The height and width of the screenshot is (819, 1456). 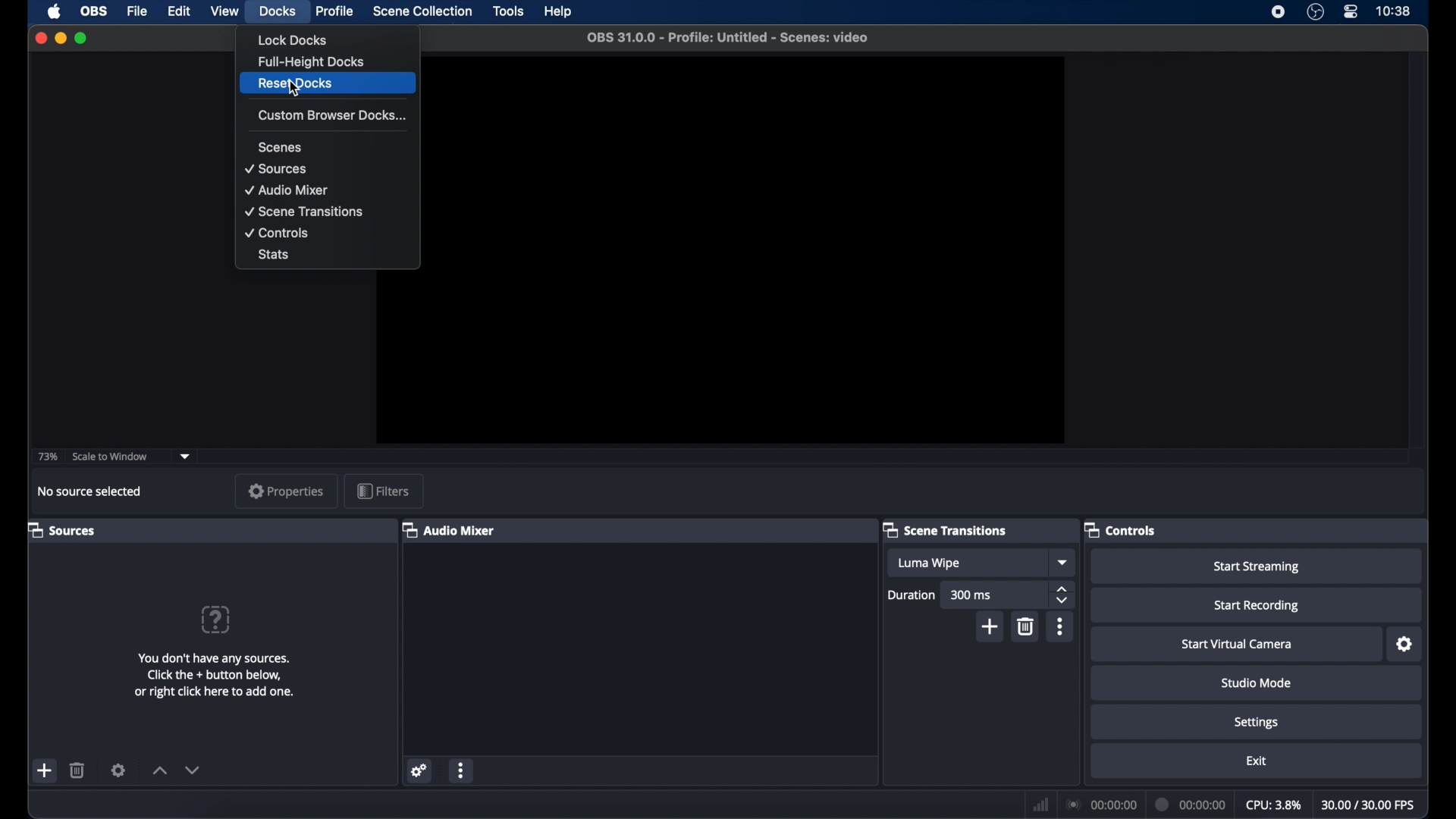 What do you see at coordinates (158, 770) in the screenshot?
I see `increment` at bounding box center [158, 770].